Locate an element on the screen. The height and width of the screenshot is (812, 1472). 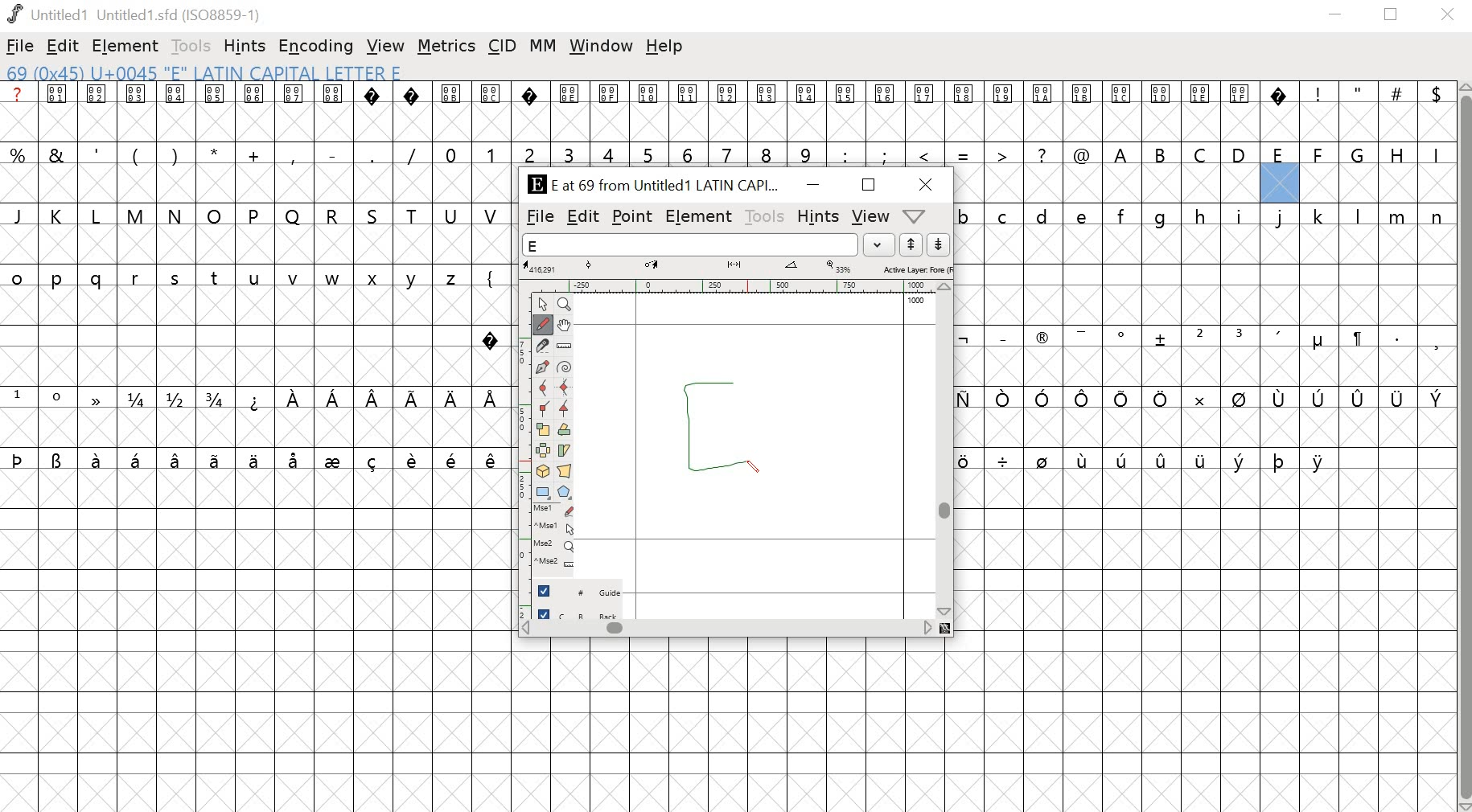
Polygon/star is located at coordinates (562, 493).